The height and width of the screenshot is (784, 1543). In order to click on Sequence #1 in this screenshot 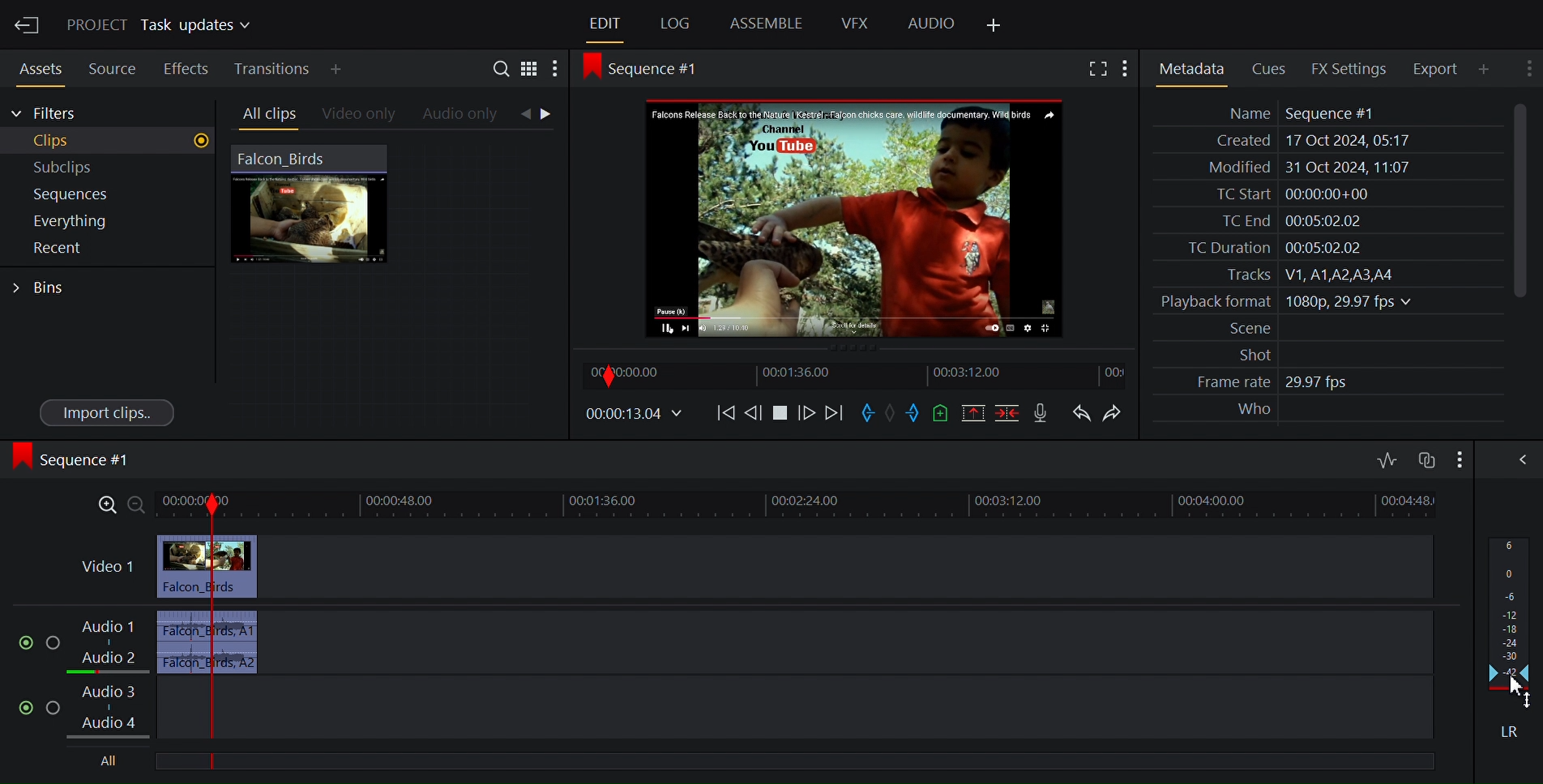, I will do `click(75, 462)`.